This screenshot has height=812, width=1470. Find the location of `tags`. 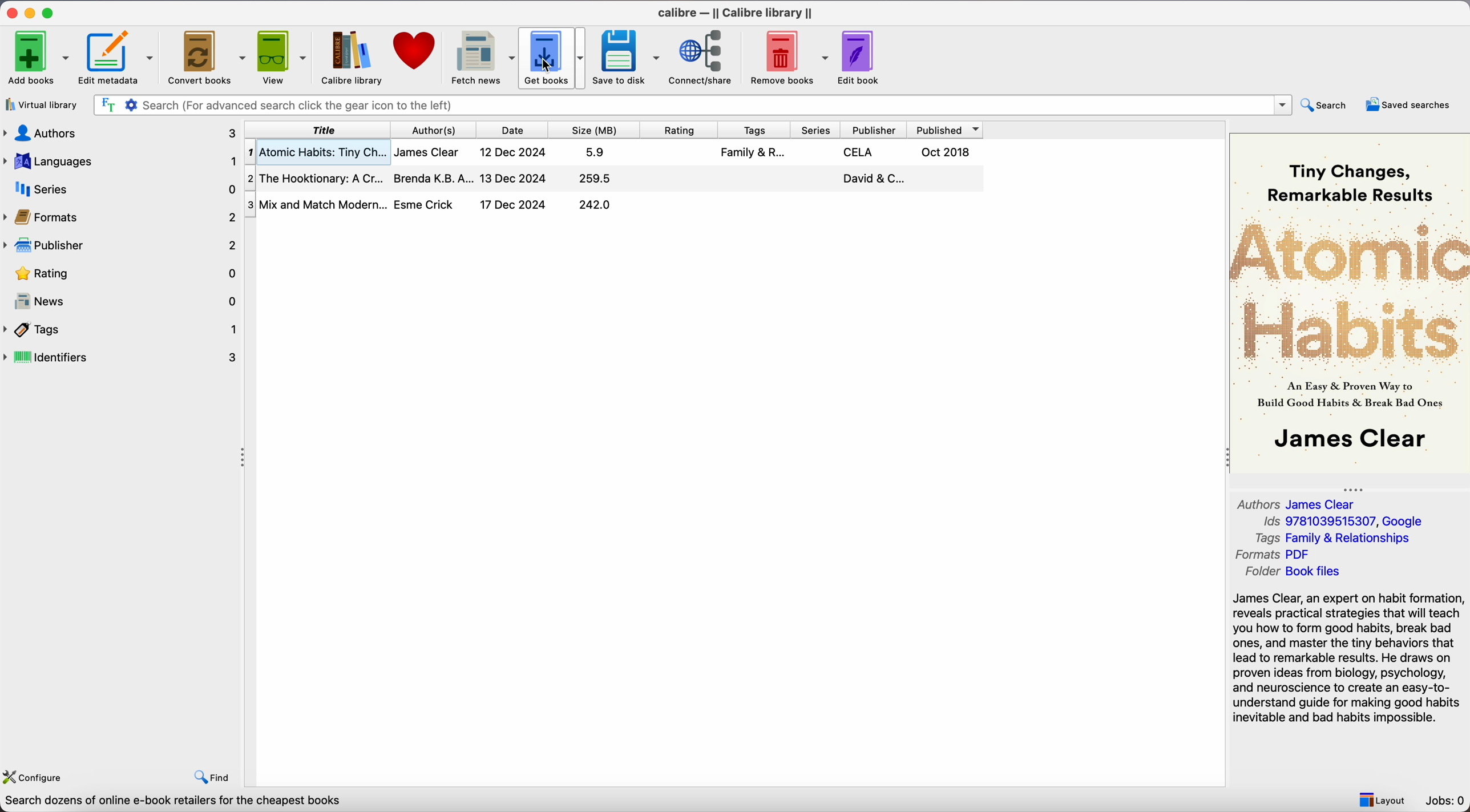

tags is located at coordinates (750, 130).